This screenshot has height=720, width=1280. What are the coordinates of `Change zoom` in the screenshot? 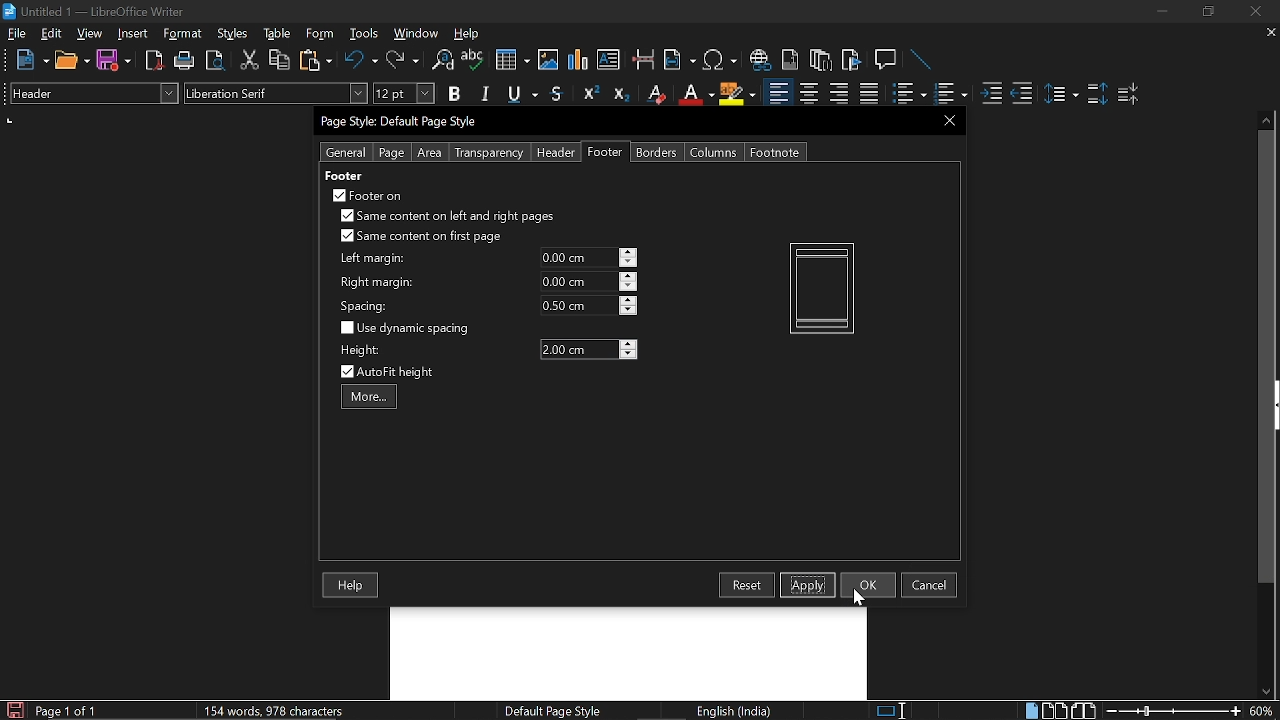 It's located at (1174, 711).